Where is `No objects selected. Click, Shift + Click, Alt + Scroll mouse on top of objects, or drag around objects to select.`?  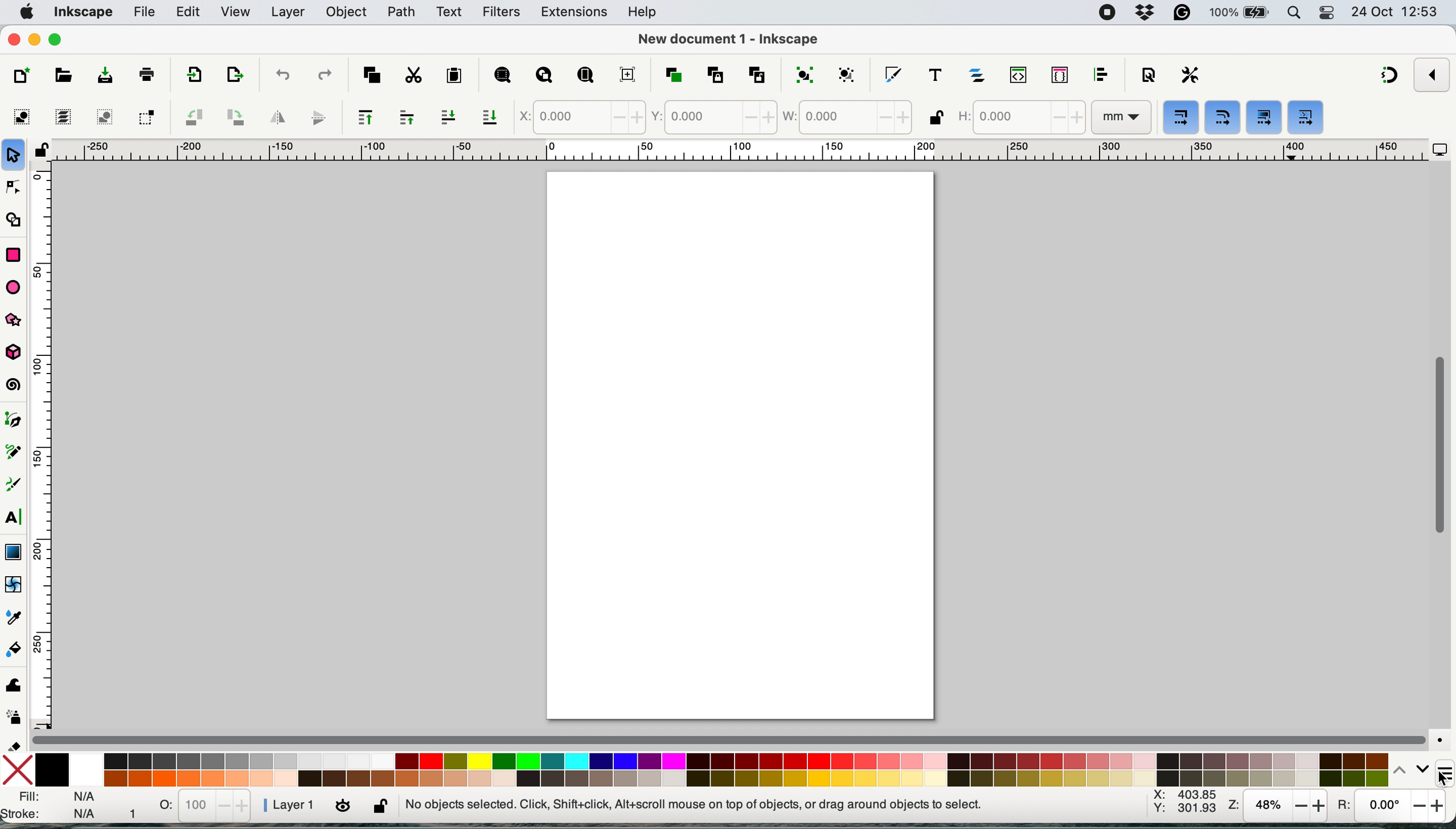 No objects selected. Click, Shift + Click, Alt + Scroll mouse on top of objects, or drag around objects to select. is located at coordinates (698, 803).